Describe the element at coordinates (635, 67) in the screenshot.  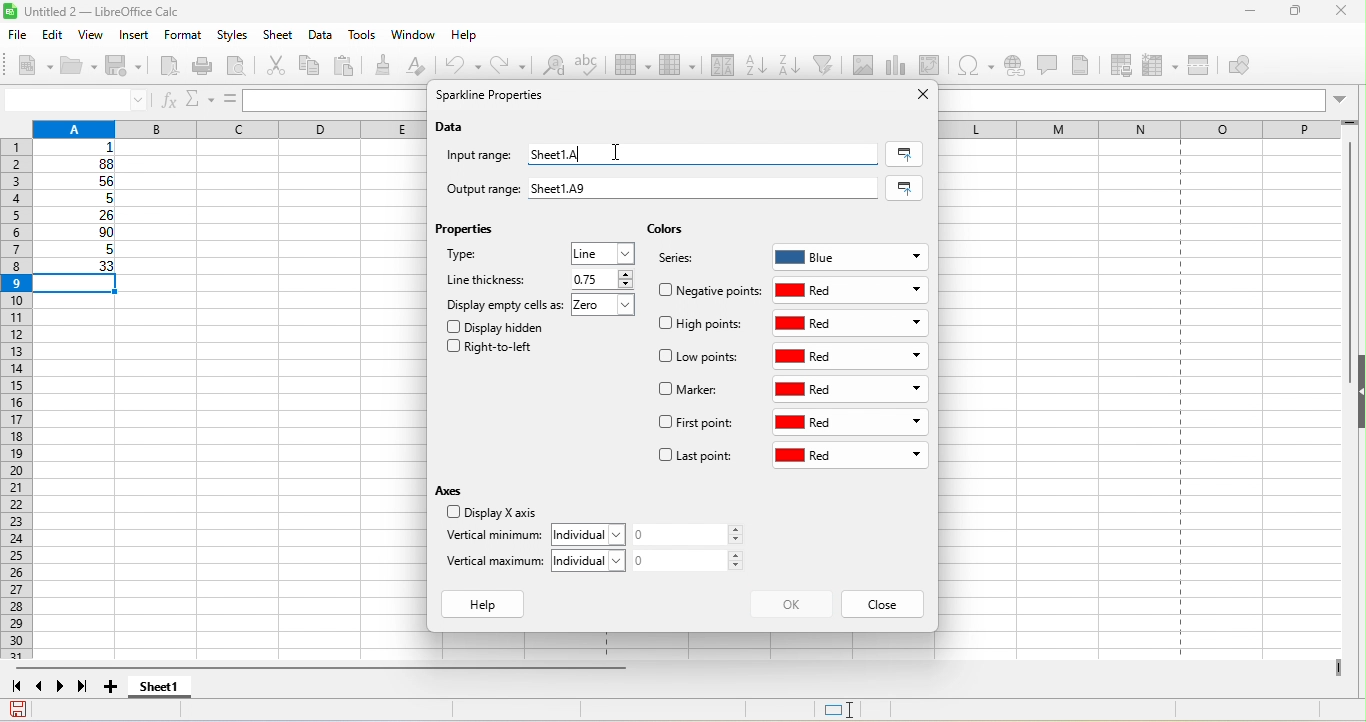
I see `row` at that location.